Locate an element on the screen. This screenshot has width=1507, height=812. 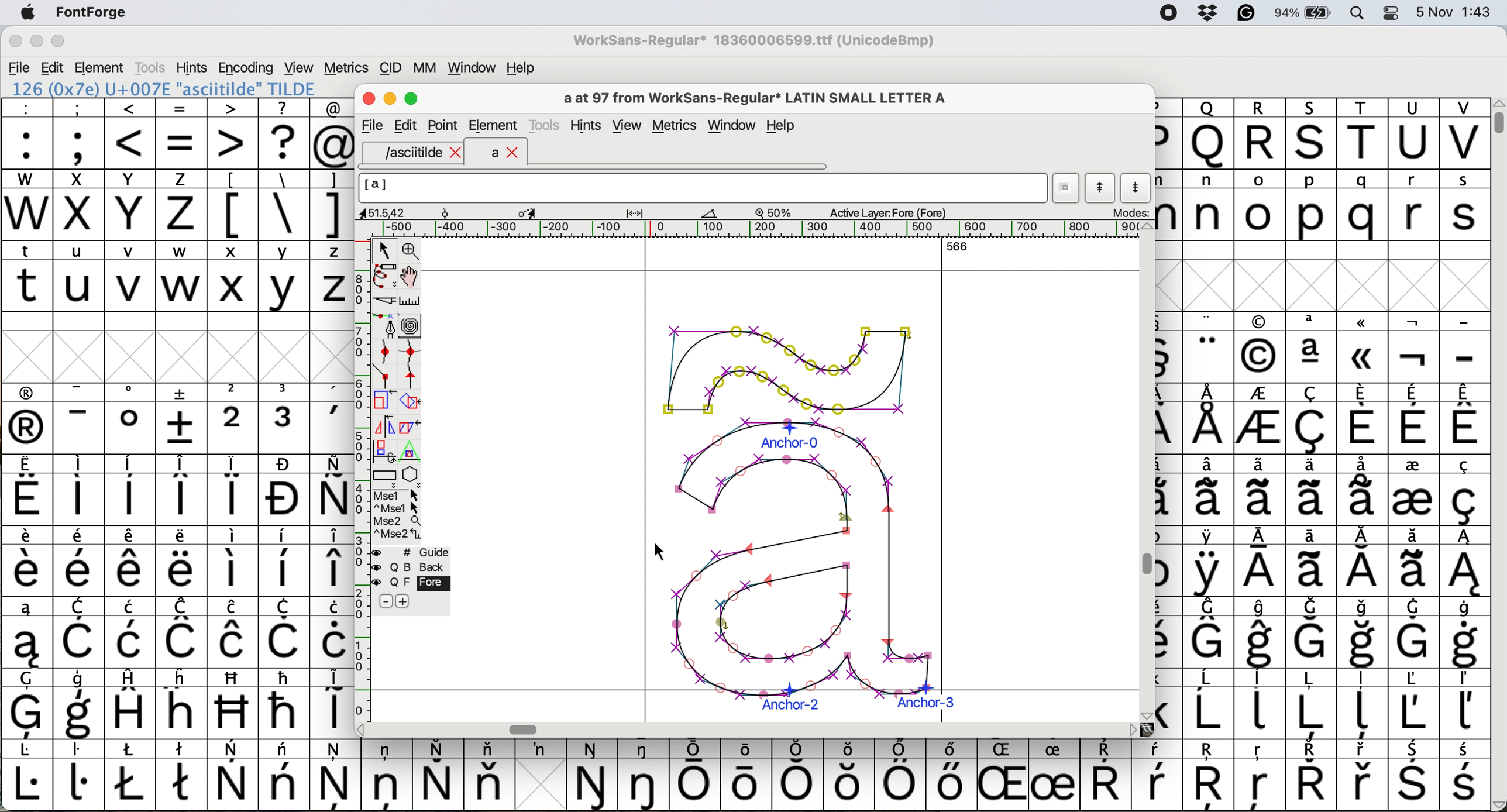
 is located at coordinates (1006, 775).